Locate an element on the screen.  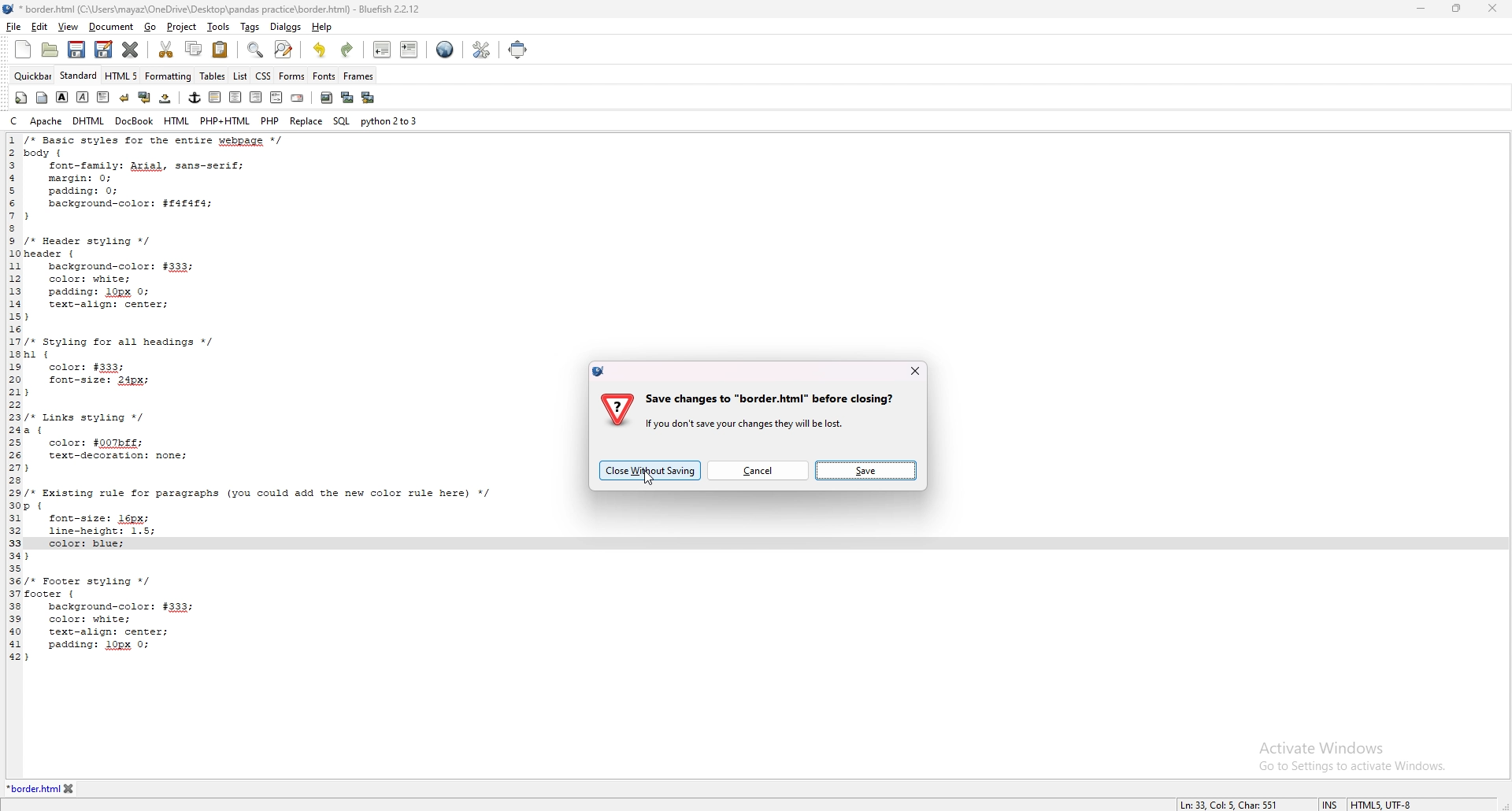
paragraph is located at coordinates (103, 98).